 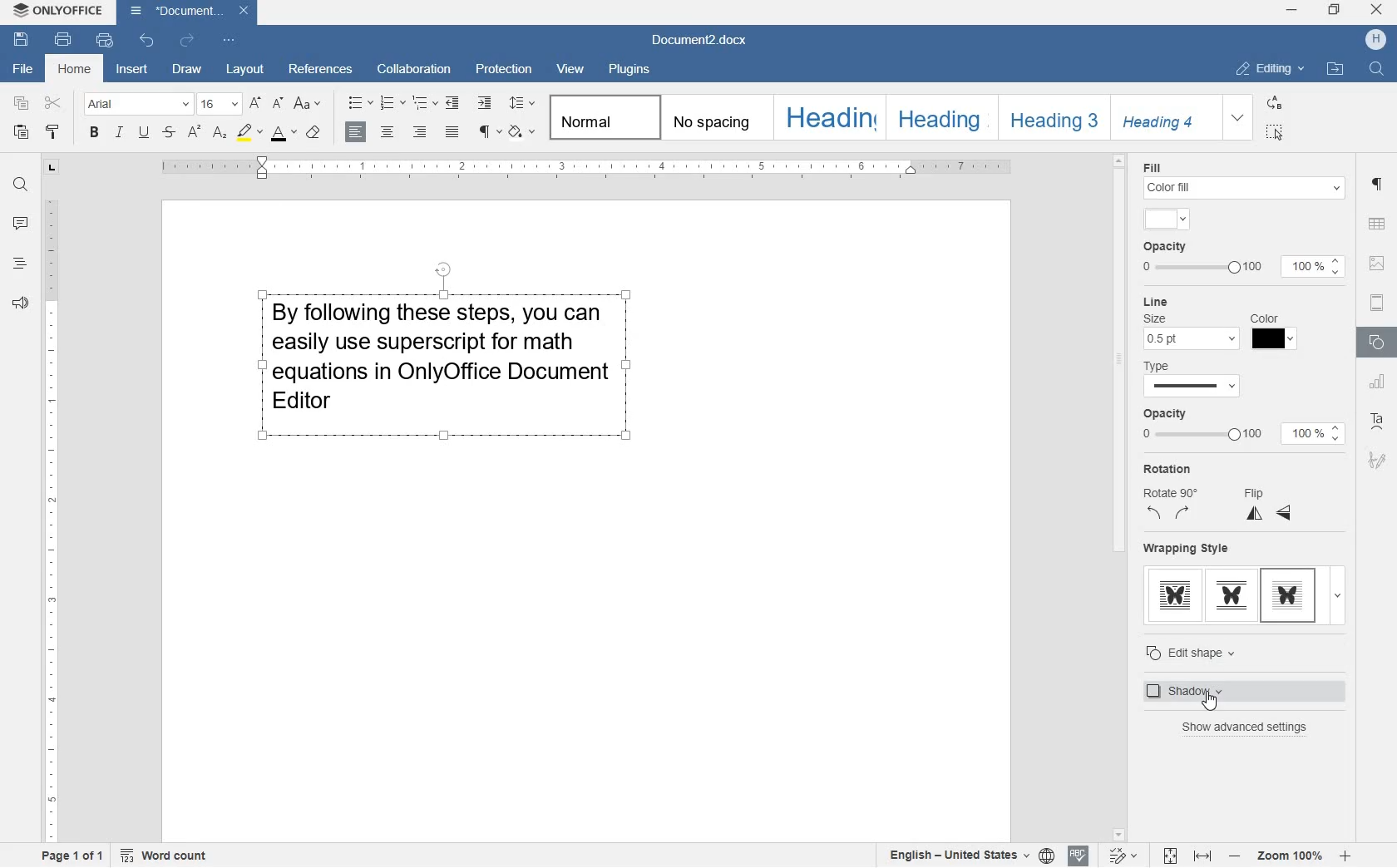 What do you see at coordinates (579, 170) in the screenshot?
I see `ruler` at bounding box center [579, 170].